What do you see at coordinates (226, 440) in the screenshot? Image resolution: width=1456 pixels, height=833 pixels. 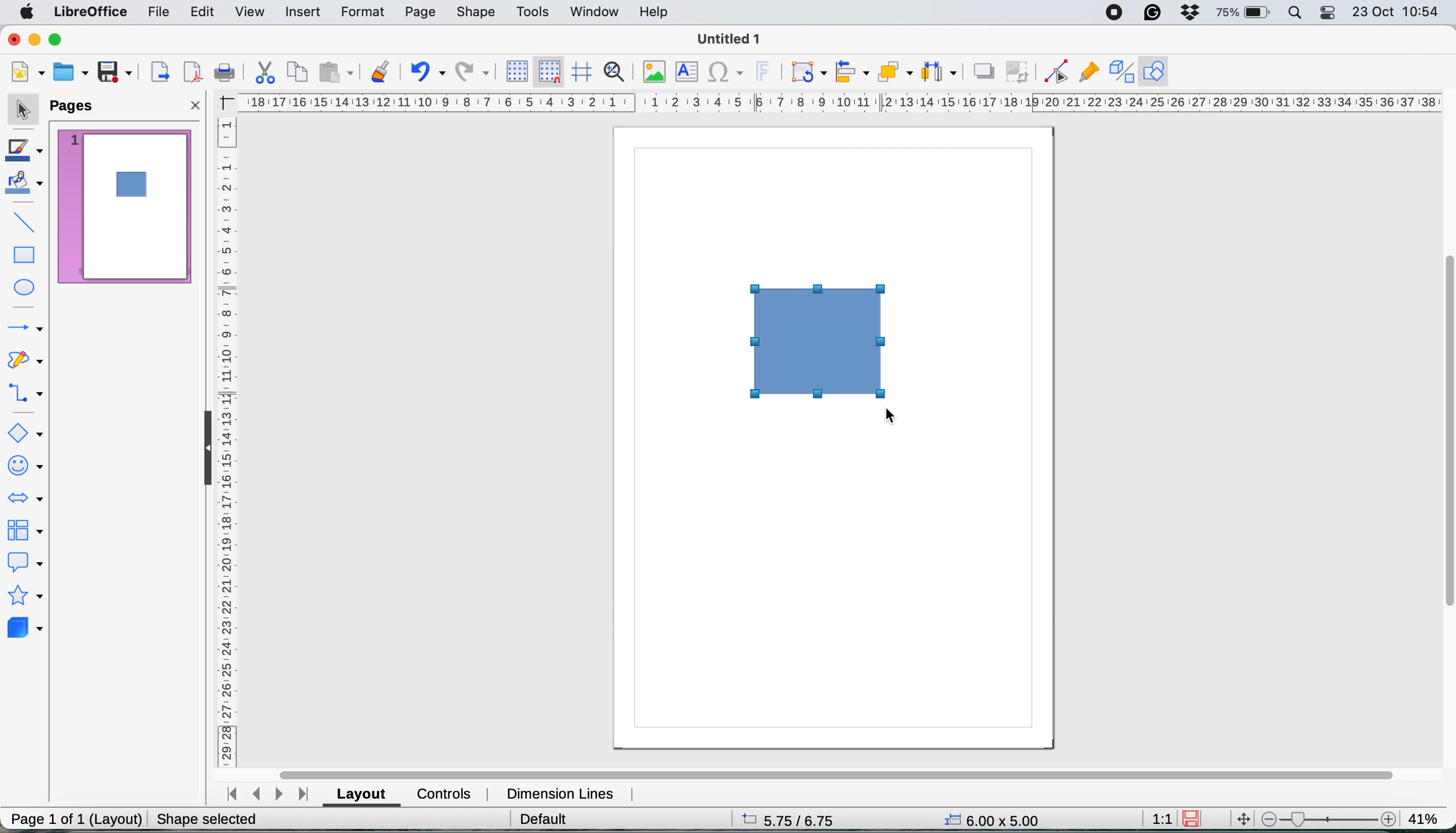 I see `vertical scale` at bounding box center [226, 440].